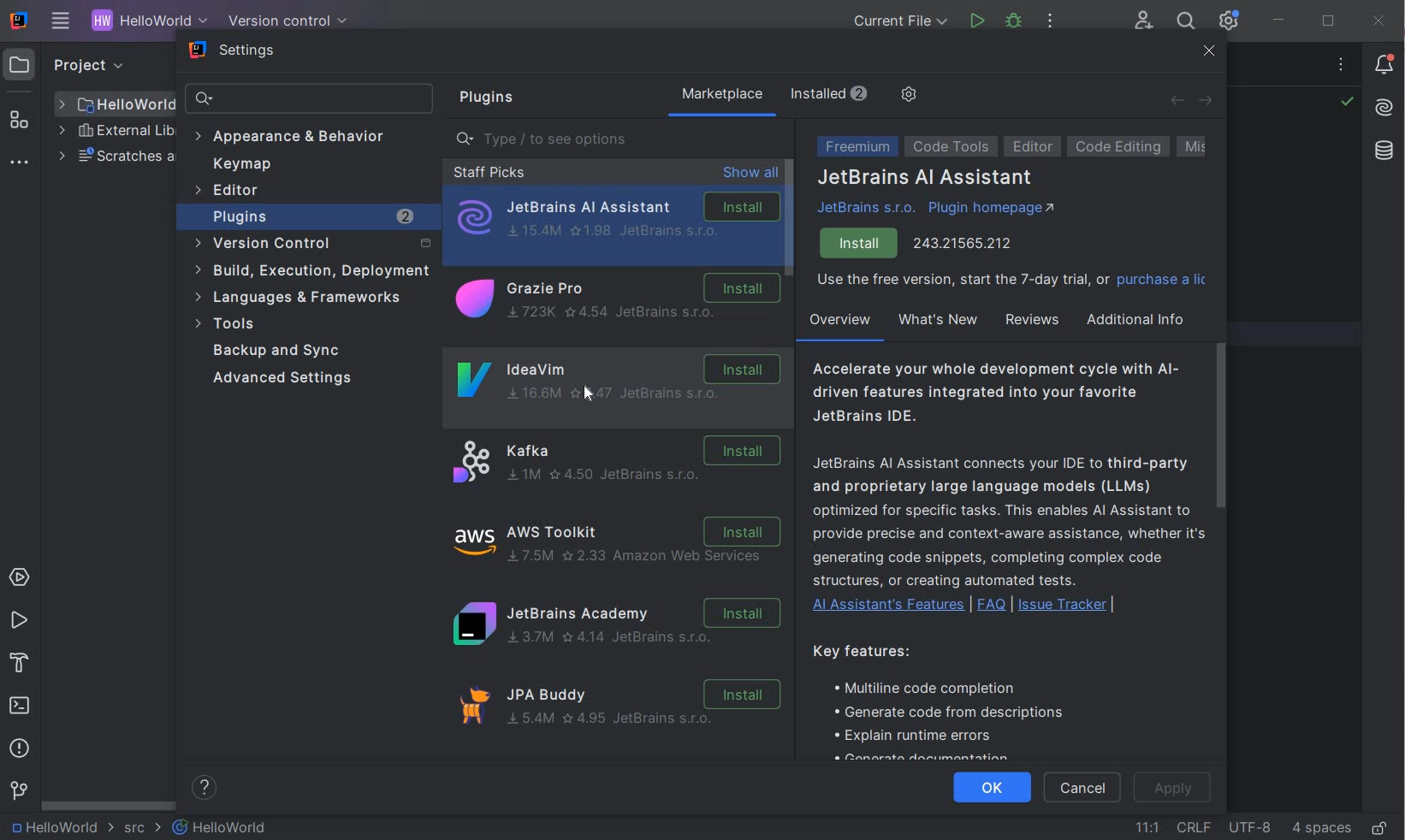 The height and width of the screenshot is (840, 1405). What do you see at coordinates (20, 578) in the screenshot?
I see `SERVICES` at bounding box center [20, 578].